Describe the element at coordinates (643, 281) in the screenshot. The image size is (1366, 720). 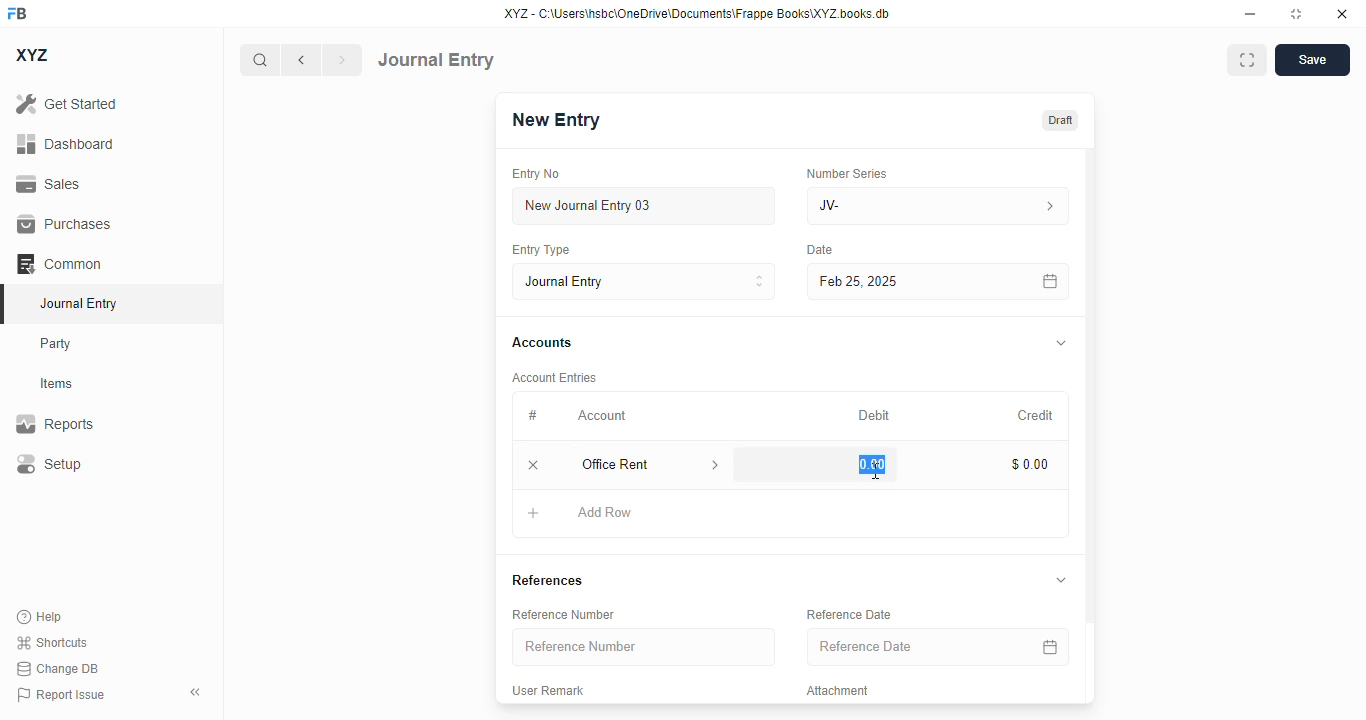
I see `entry type` at that location.